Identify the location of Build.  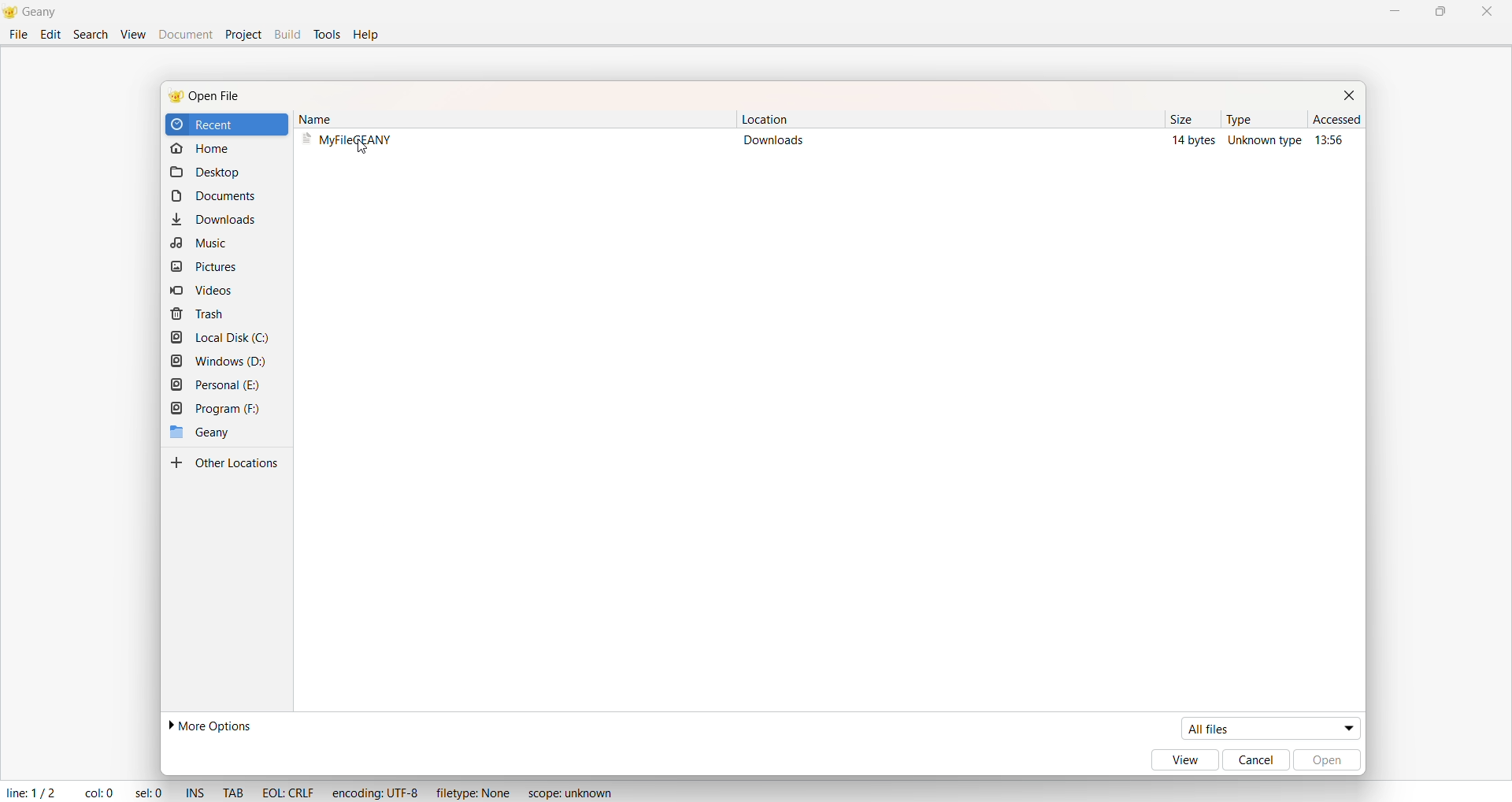
(287, 35).